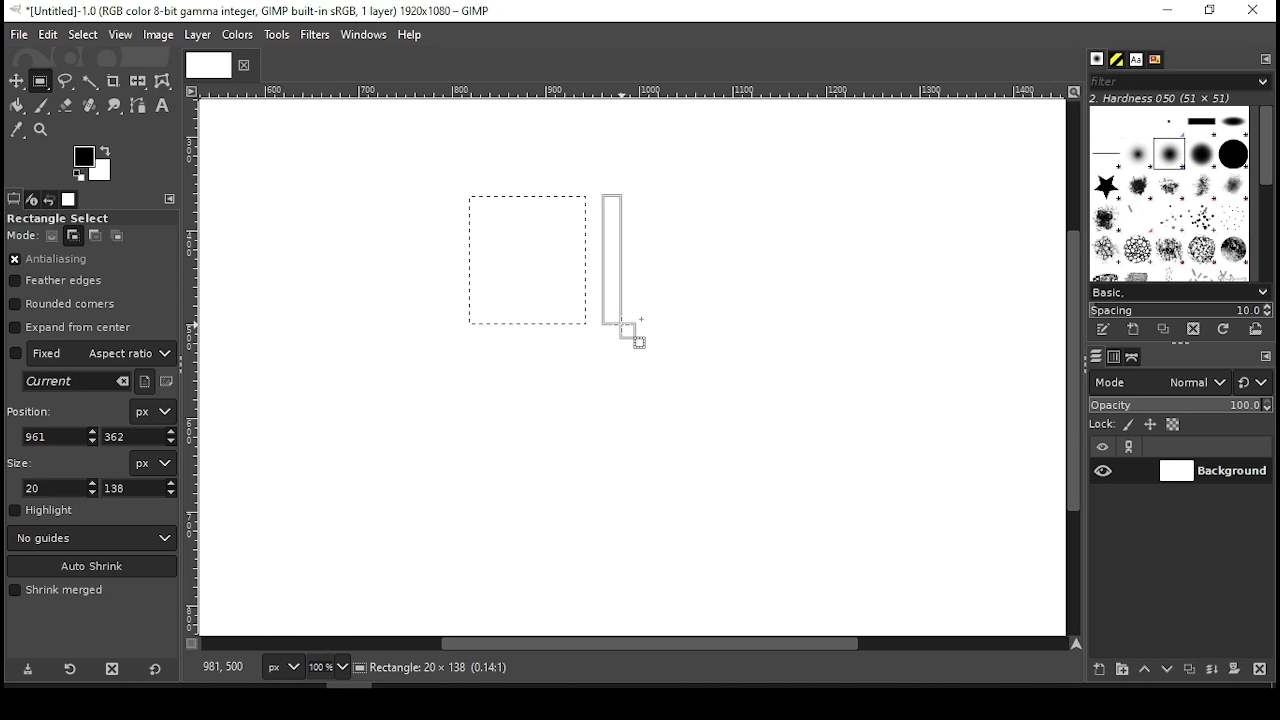 This screenshot has width=1280, height=720. What do you see at coordinates (318, 35) in the screenshot?
I see `filters` at bounding box center [318, 35].